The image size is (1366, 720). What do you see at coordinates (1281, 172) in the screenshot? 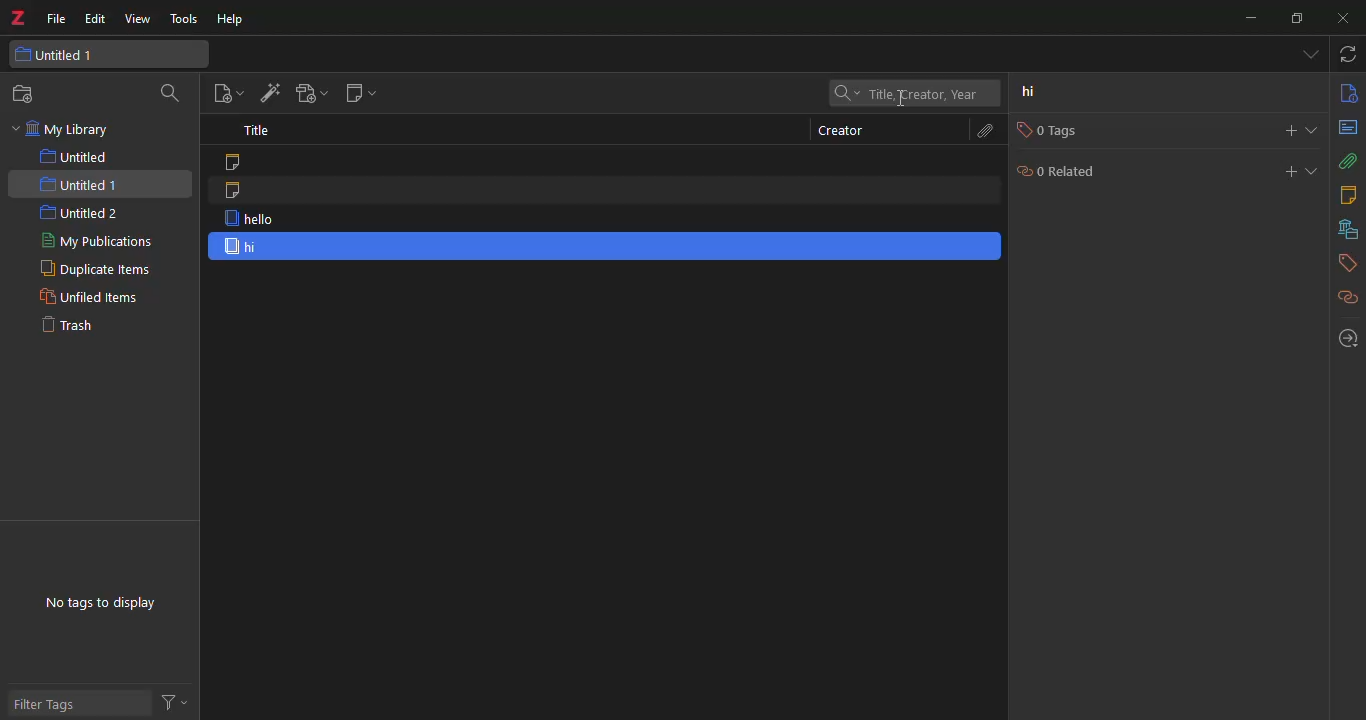
I see `add` at bounding box center [1281, 172].